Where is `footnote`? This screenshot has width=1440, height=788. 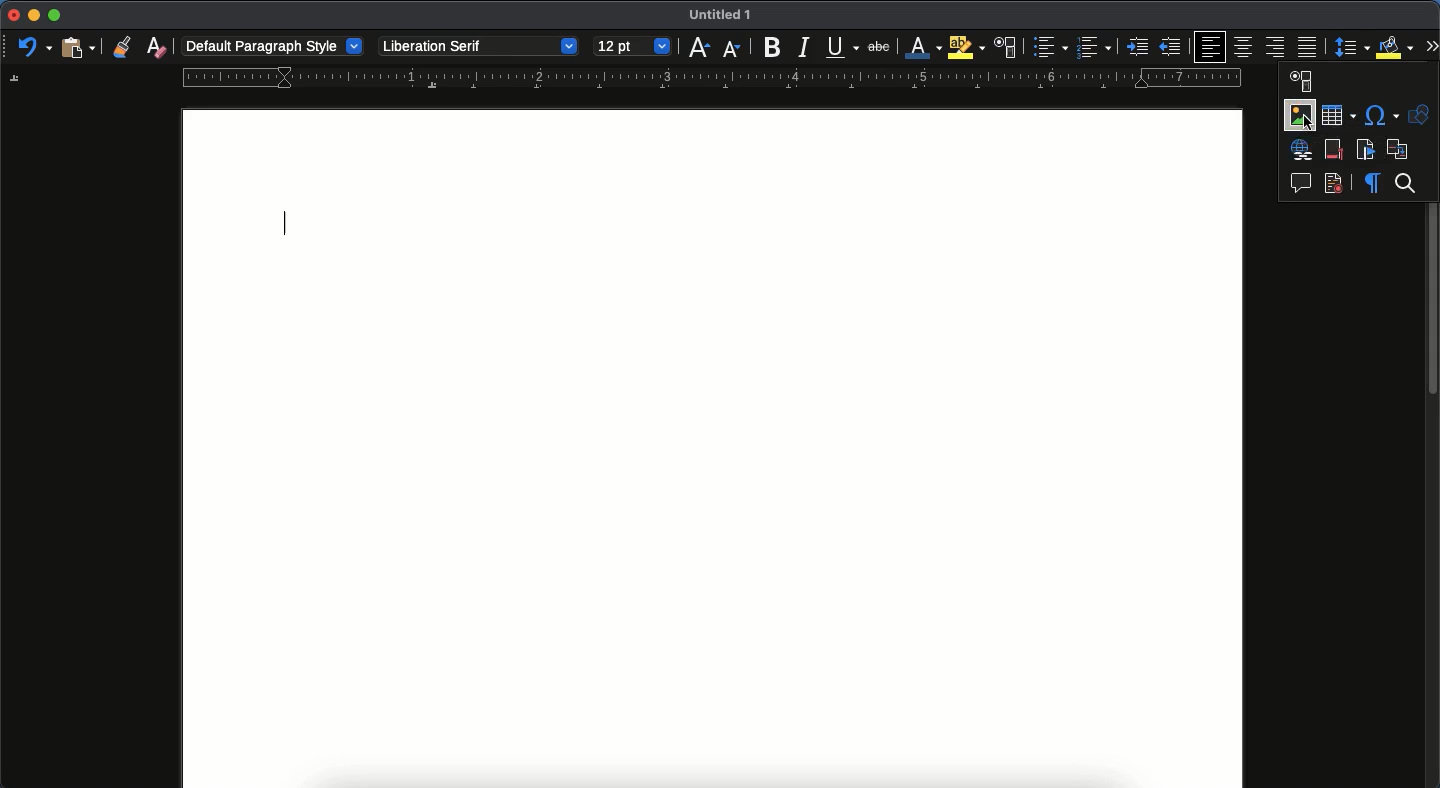 footnote is located at coordinates (1333, 149).